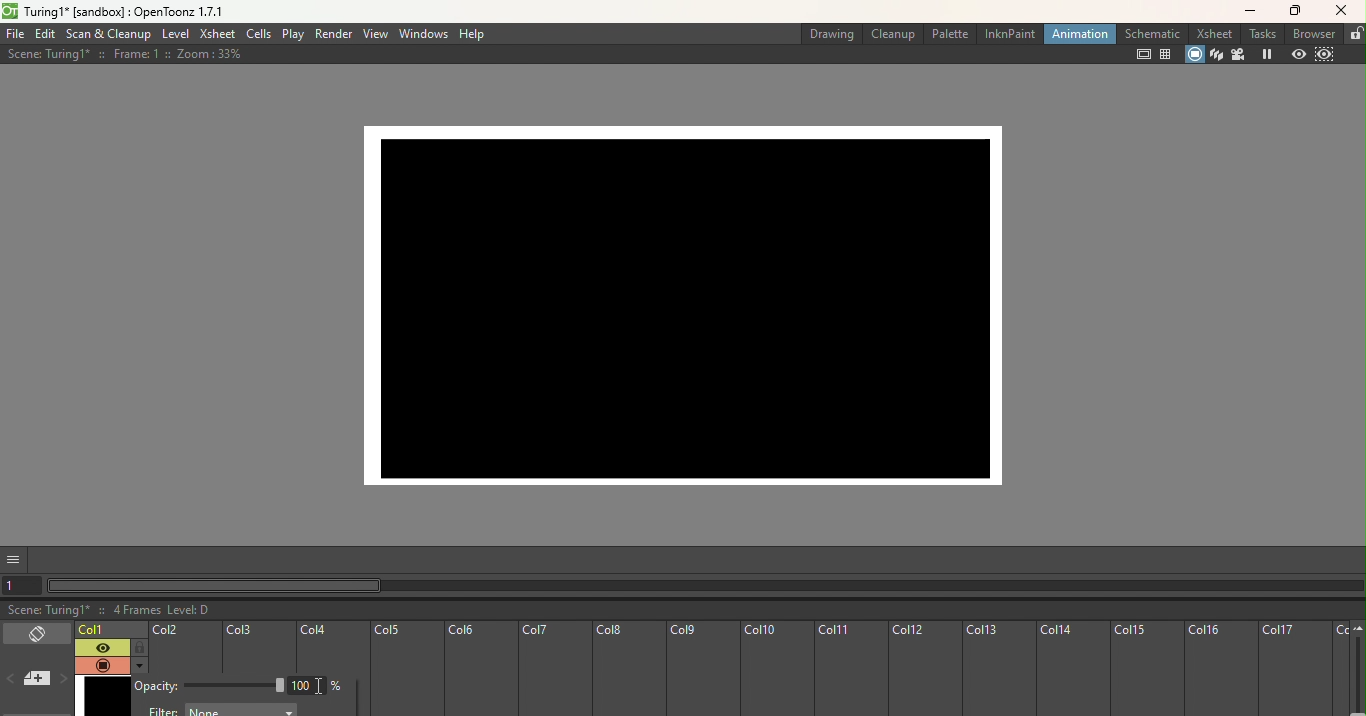 The height and width of the screenshot is (716, 1366). What do you see at coordinates (1299, 10) in the screenshot?
I see `Maximize` at bounding box center [1299, 10].